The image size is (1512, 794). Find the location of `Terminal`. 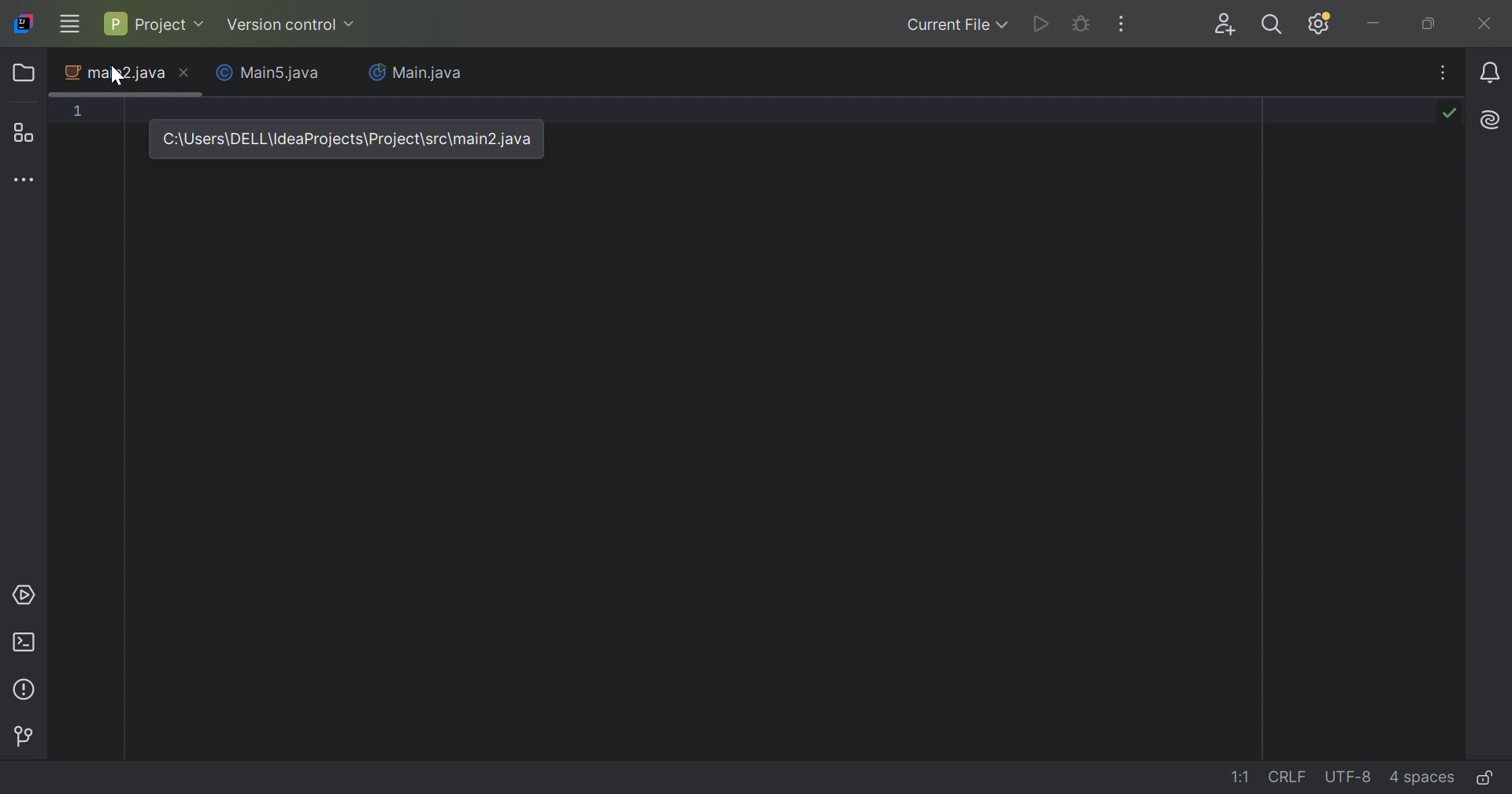

Terminal is located at coordinates (26, 644).